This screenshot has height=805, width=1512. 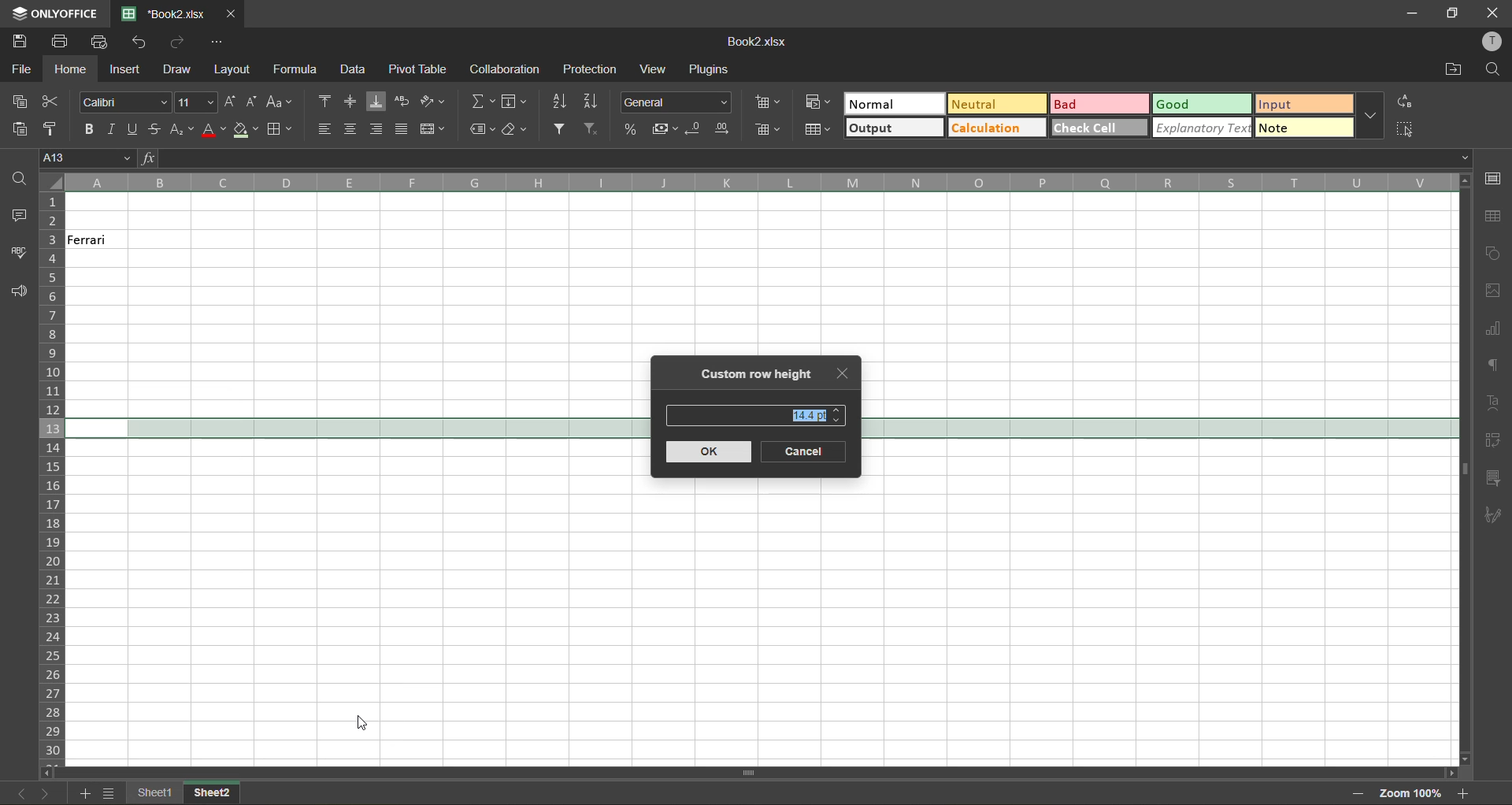 What do you see at coordinates (350, 70) in the screenshot?
I see `data` at bounding box center [350, 70].